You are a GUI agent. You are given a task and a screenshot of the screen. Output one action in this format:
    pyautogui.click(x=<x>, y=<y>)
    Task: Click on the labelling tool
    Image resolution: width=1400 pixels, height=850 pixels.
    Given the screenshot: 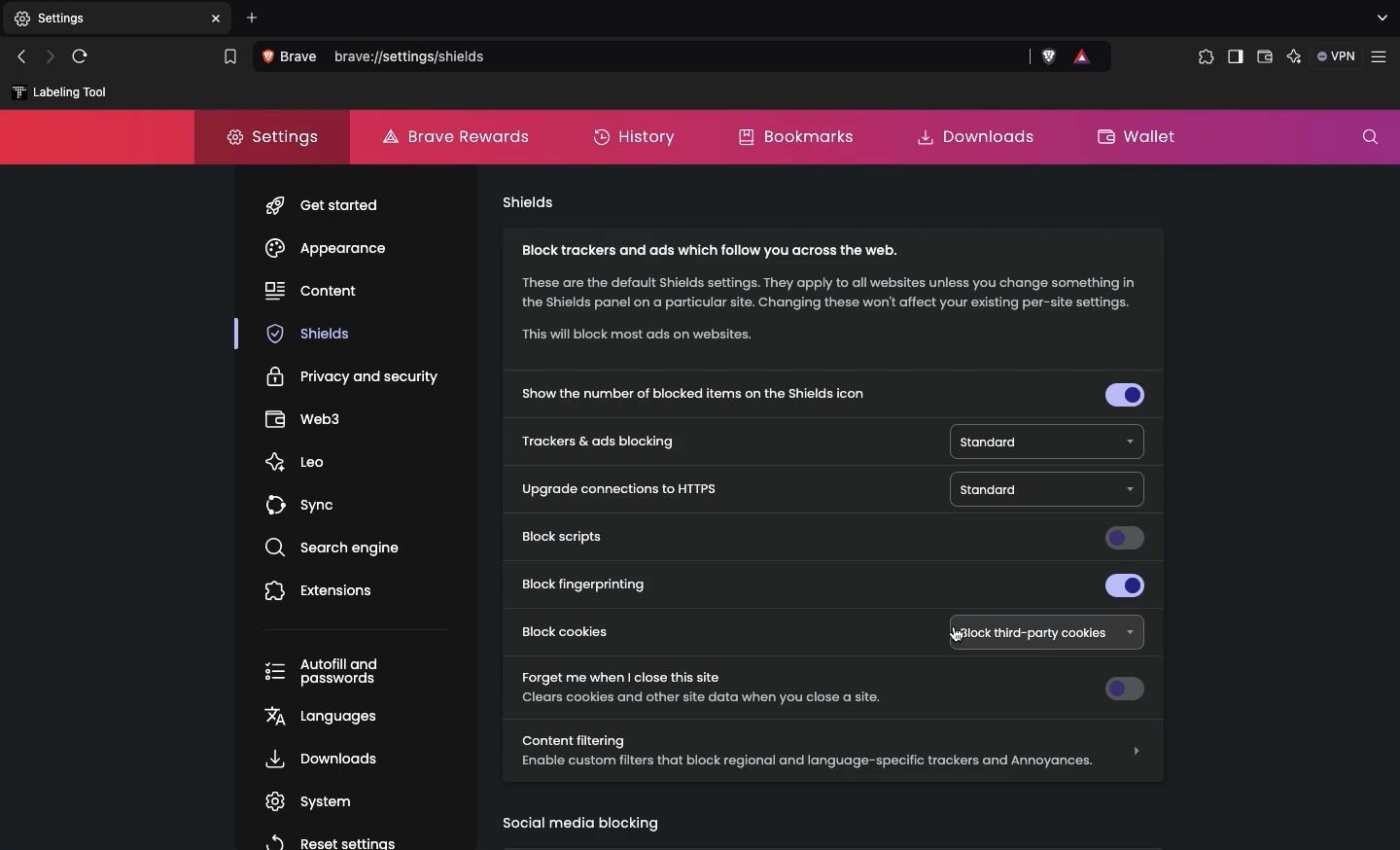 What is the action you would take?
    pyautogui.click(x=57, y=91)
    